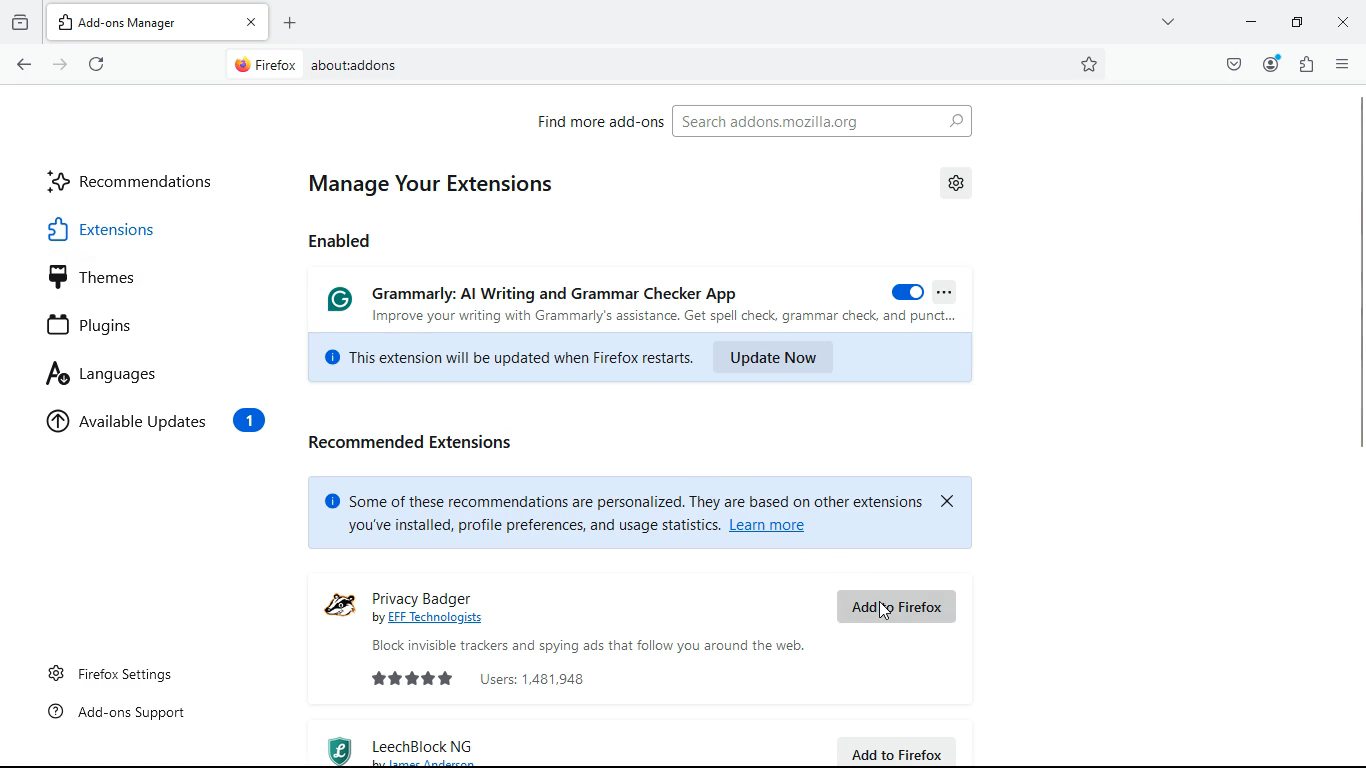 This screenshot has width=1366, height=768. I want to click on privacy badger, so click(429, 595).